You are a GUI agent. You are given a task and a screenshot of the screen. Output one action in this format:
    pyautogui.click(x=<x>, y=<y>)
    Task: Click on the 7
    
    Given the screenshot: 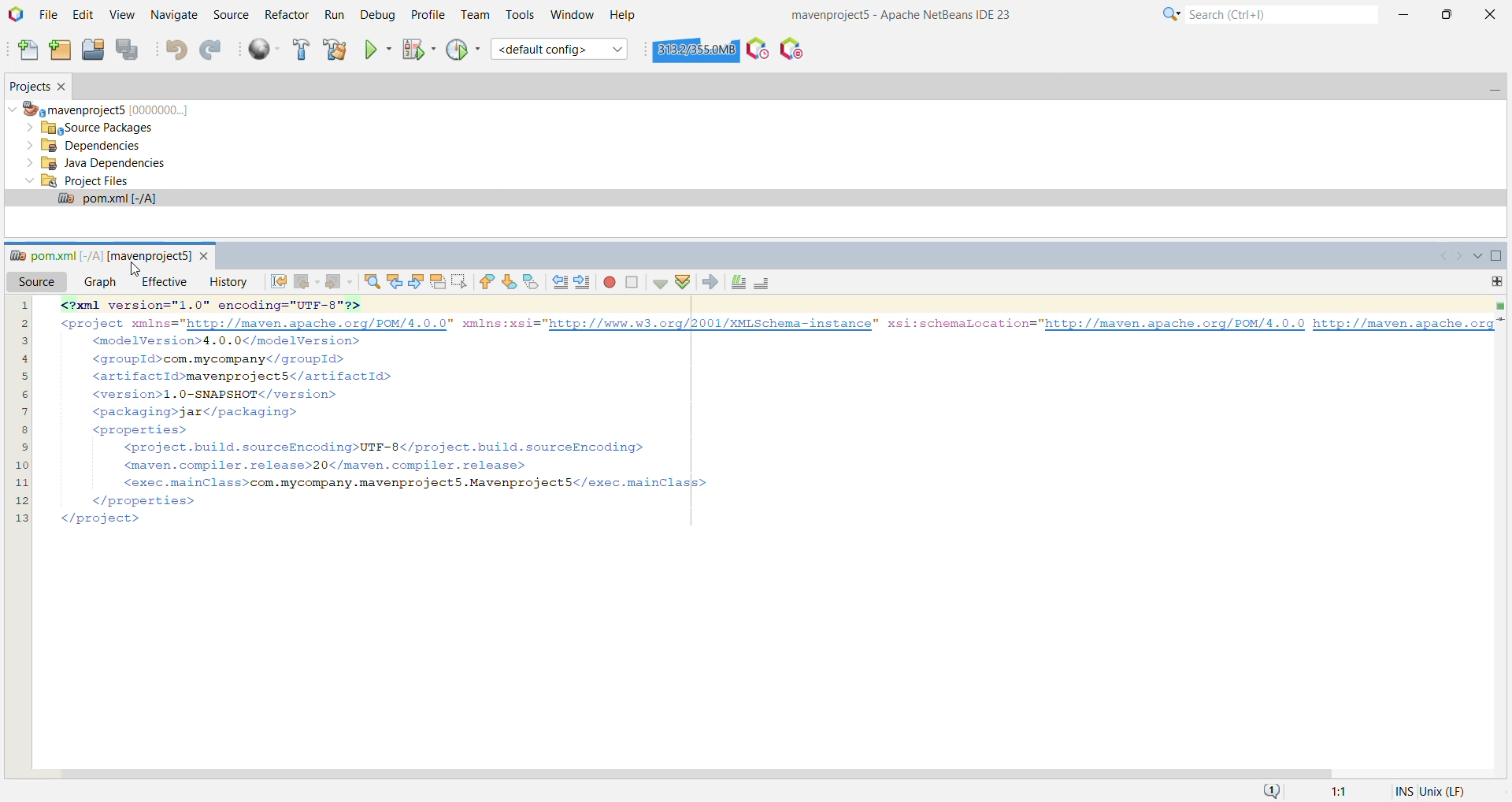 What is the action you would take?
    pyautogui.click(x=23, y=410)
    